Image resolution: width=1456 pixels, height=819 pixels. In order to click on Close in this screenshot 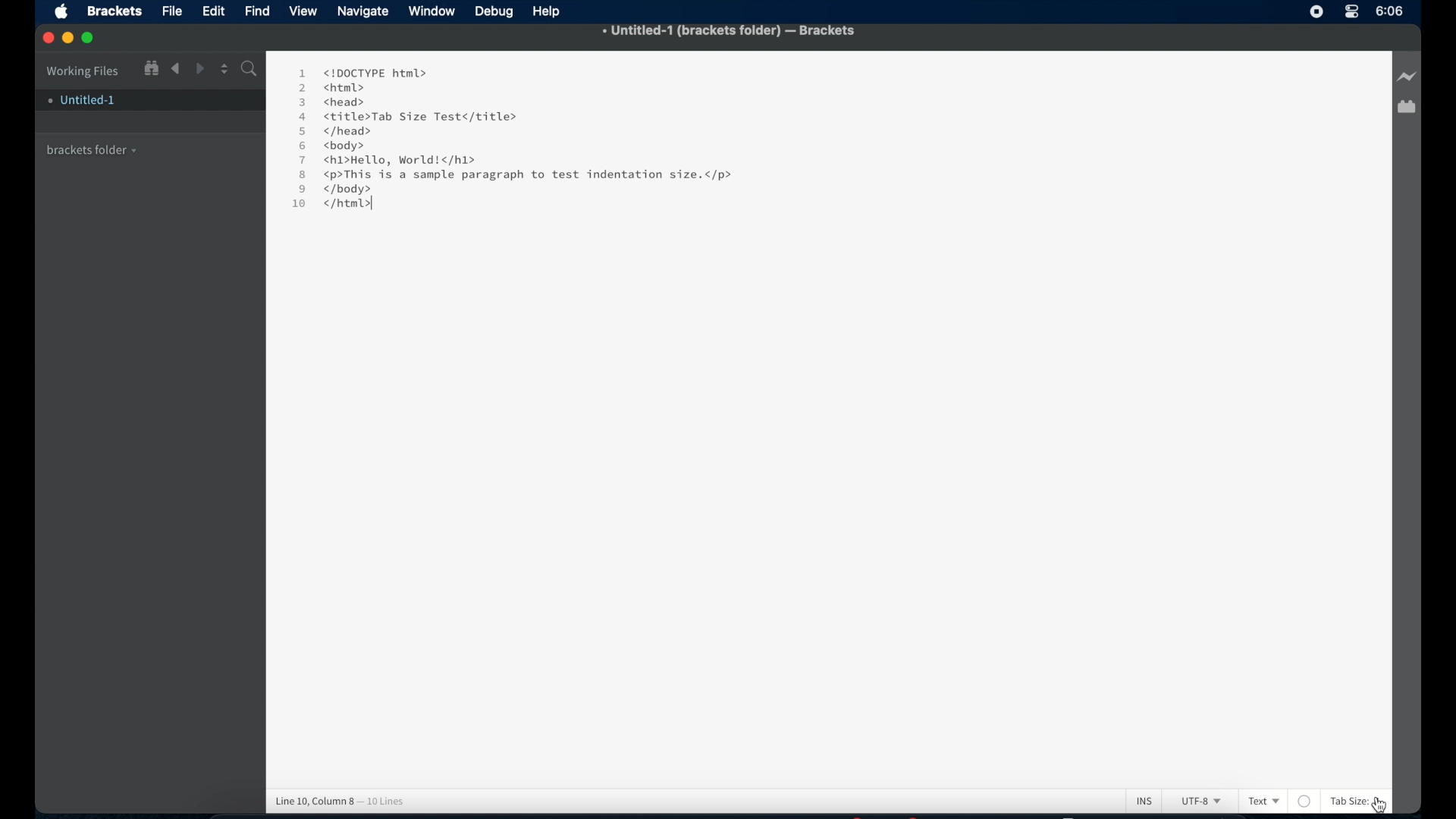, I will do `click(49, 39)`.